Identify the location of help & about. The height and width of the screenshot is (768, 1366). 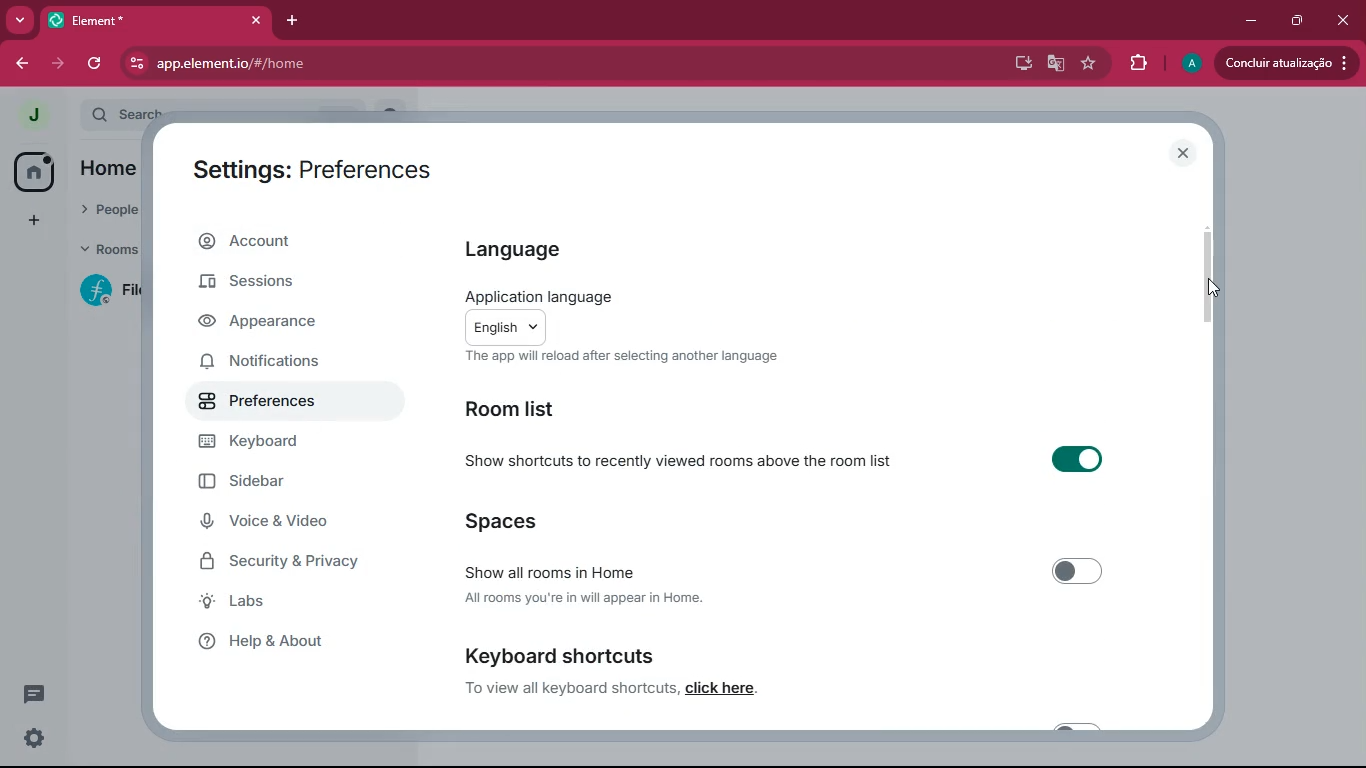
(298, 641).